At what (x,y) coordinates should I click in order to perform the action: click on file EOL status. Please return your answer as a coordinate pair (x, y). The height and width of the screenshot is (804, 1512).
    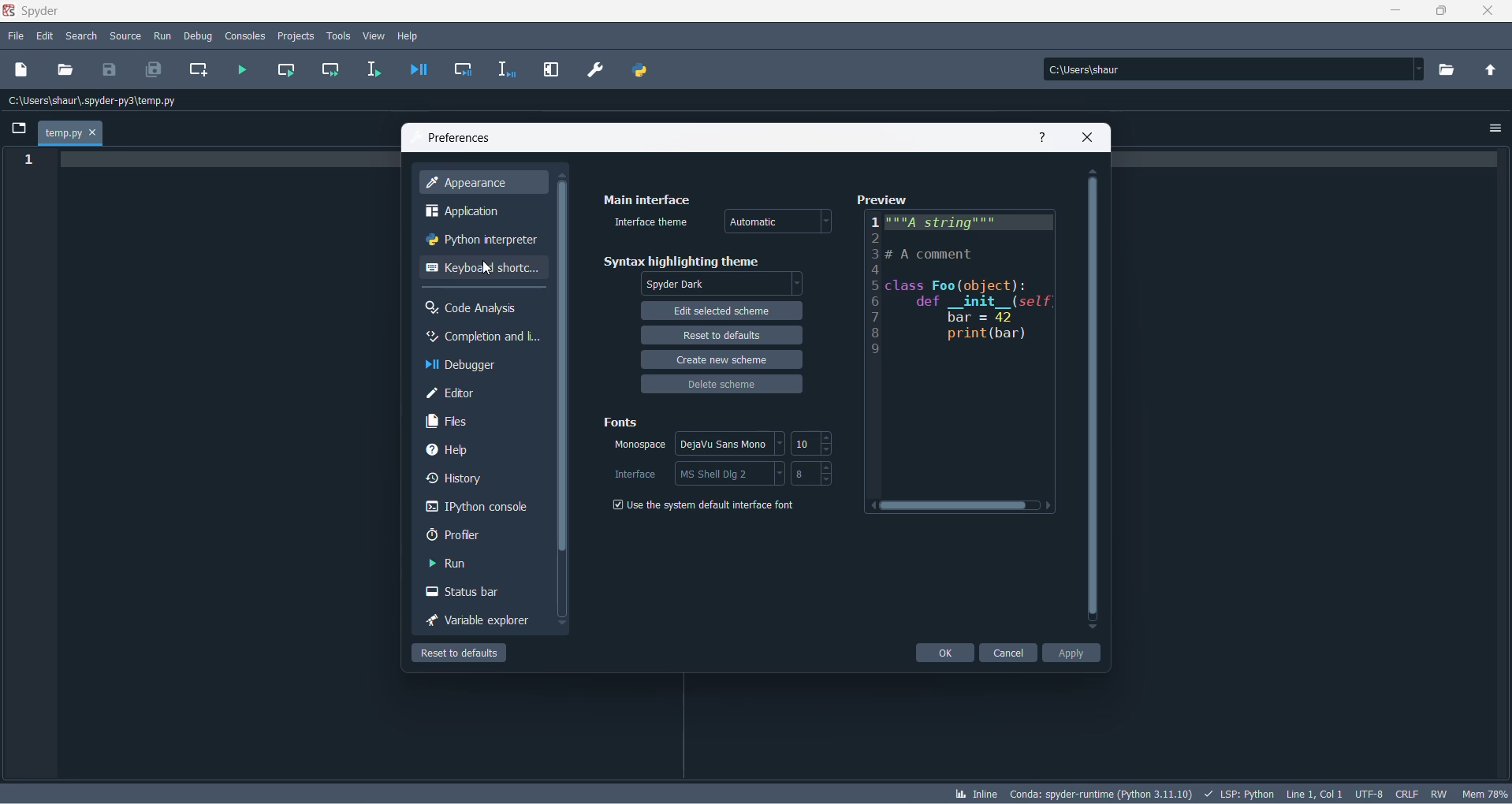
    Looking at the image, I should click on (1408, 794).